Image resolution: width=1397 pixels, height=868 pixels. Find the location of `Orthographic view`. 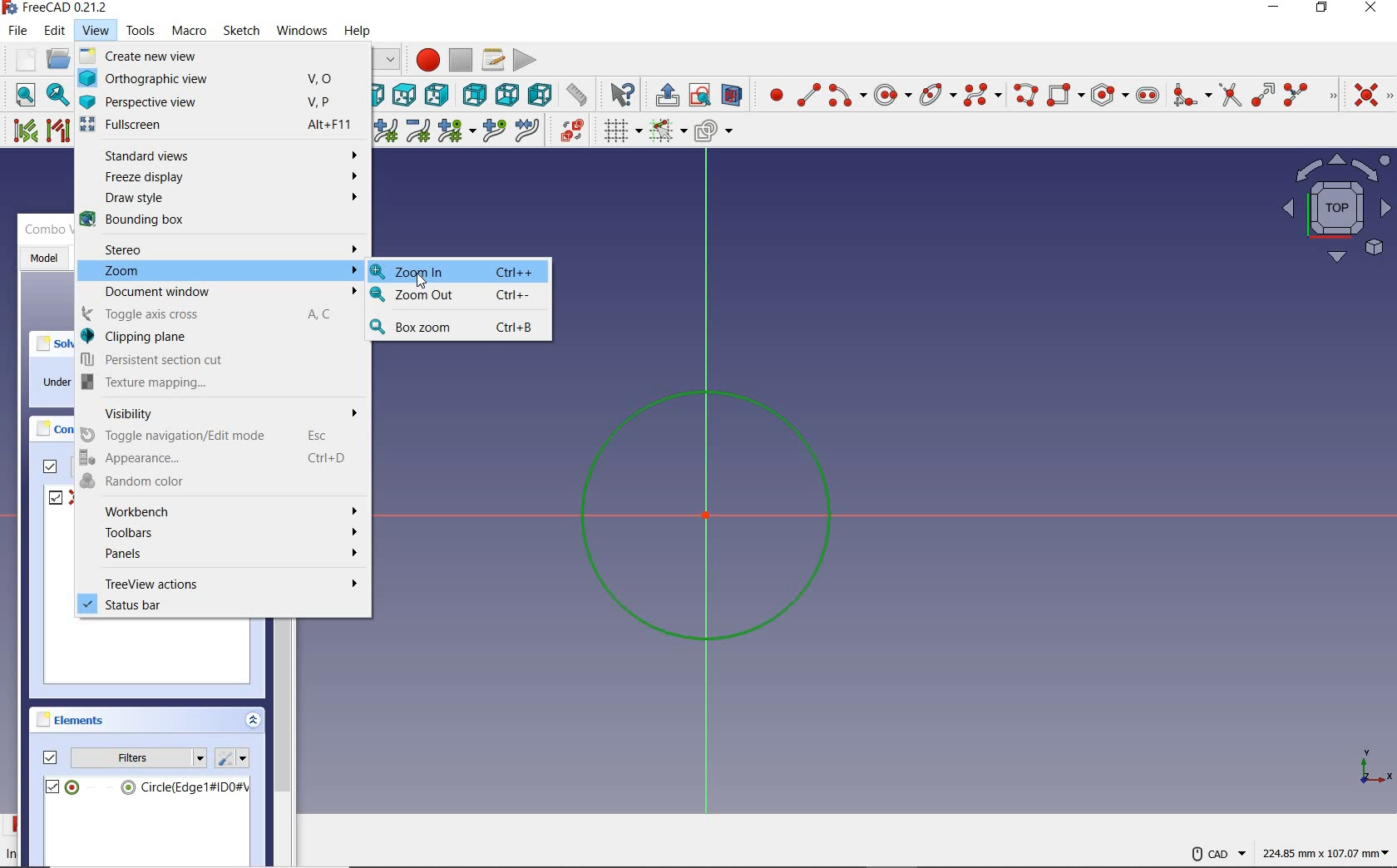

Orthographic view is located at coordinates (206, 76).